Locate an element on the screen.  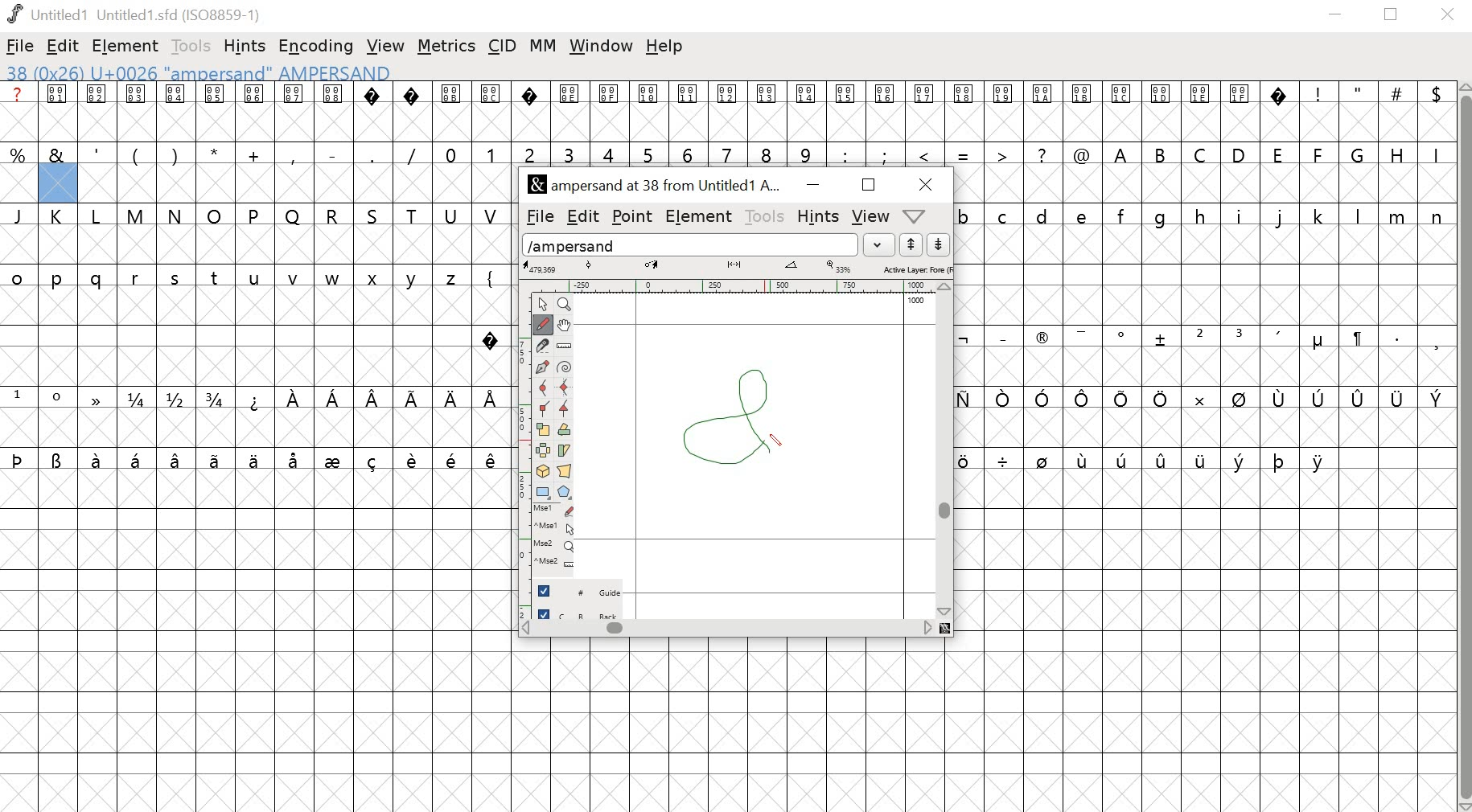
add a tangent point is located at coordinates (566, 411).